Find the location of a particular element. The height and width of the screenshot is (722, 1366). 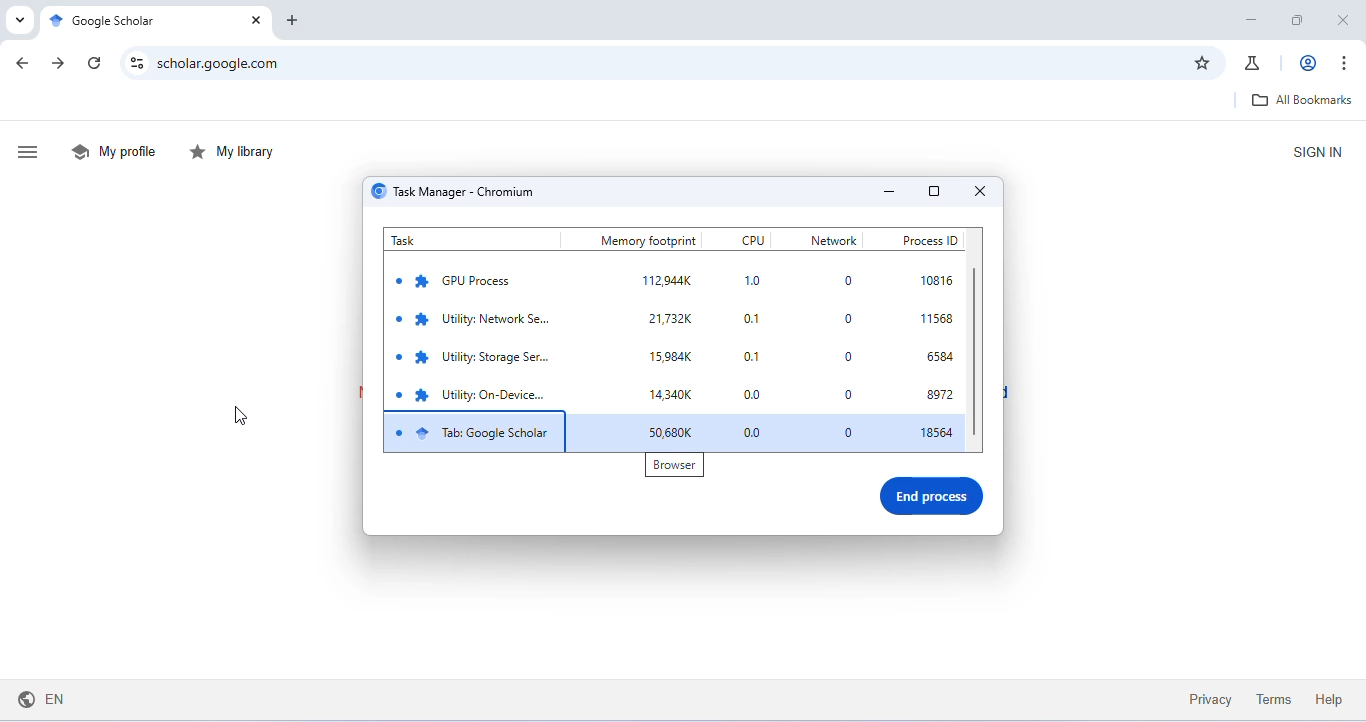

refresh is located at coordinates (98, 63).